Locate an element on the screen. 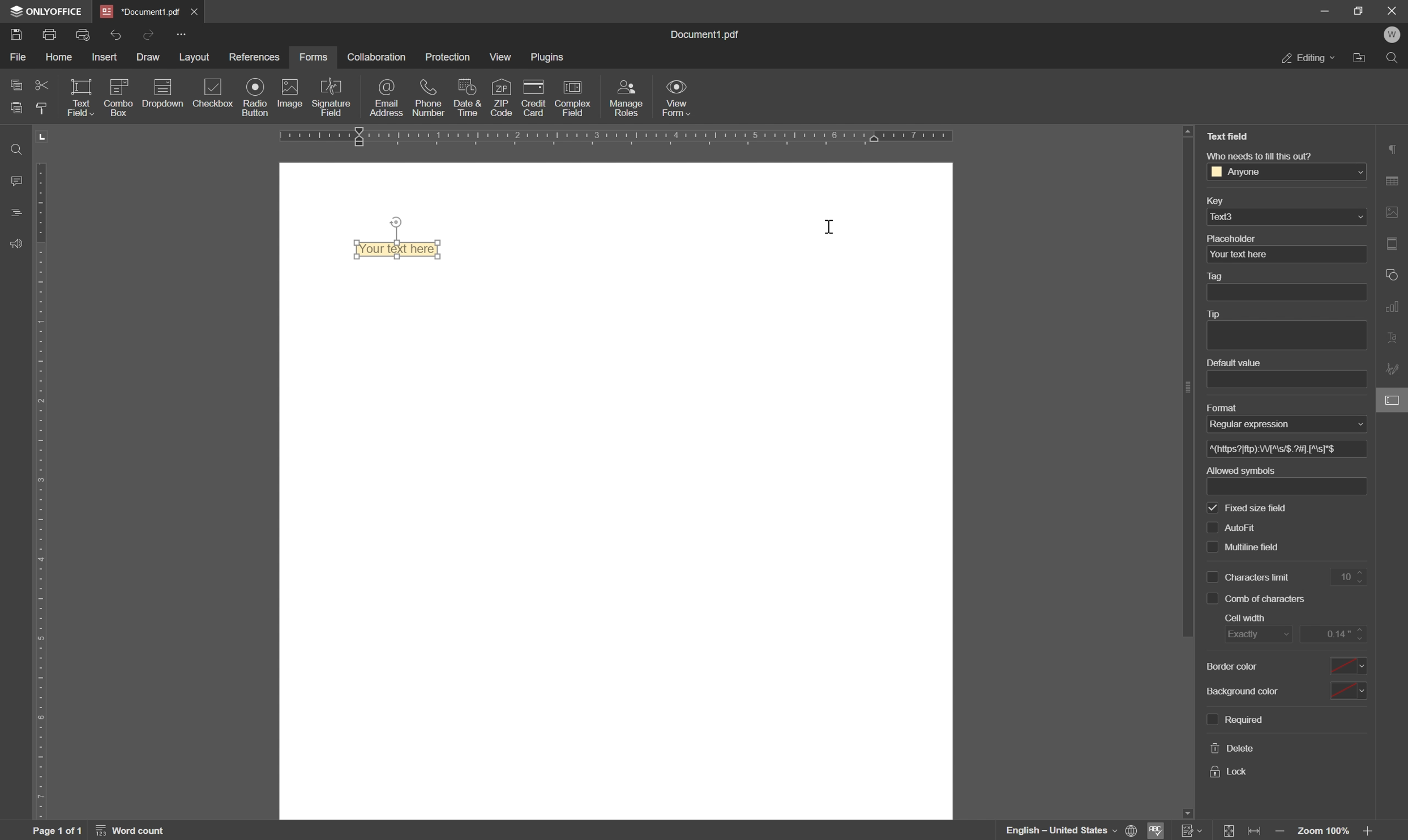  text field is located at coordinates (1228, 136).